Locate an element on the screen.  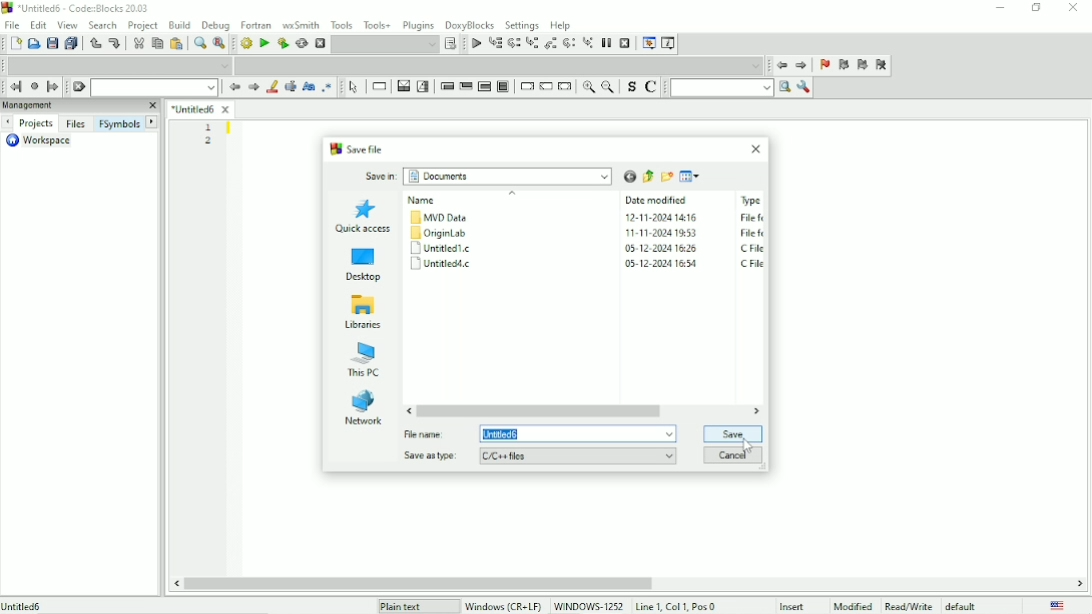
Read/Write is located at coordinates (908, 604).